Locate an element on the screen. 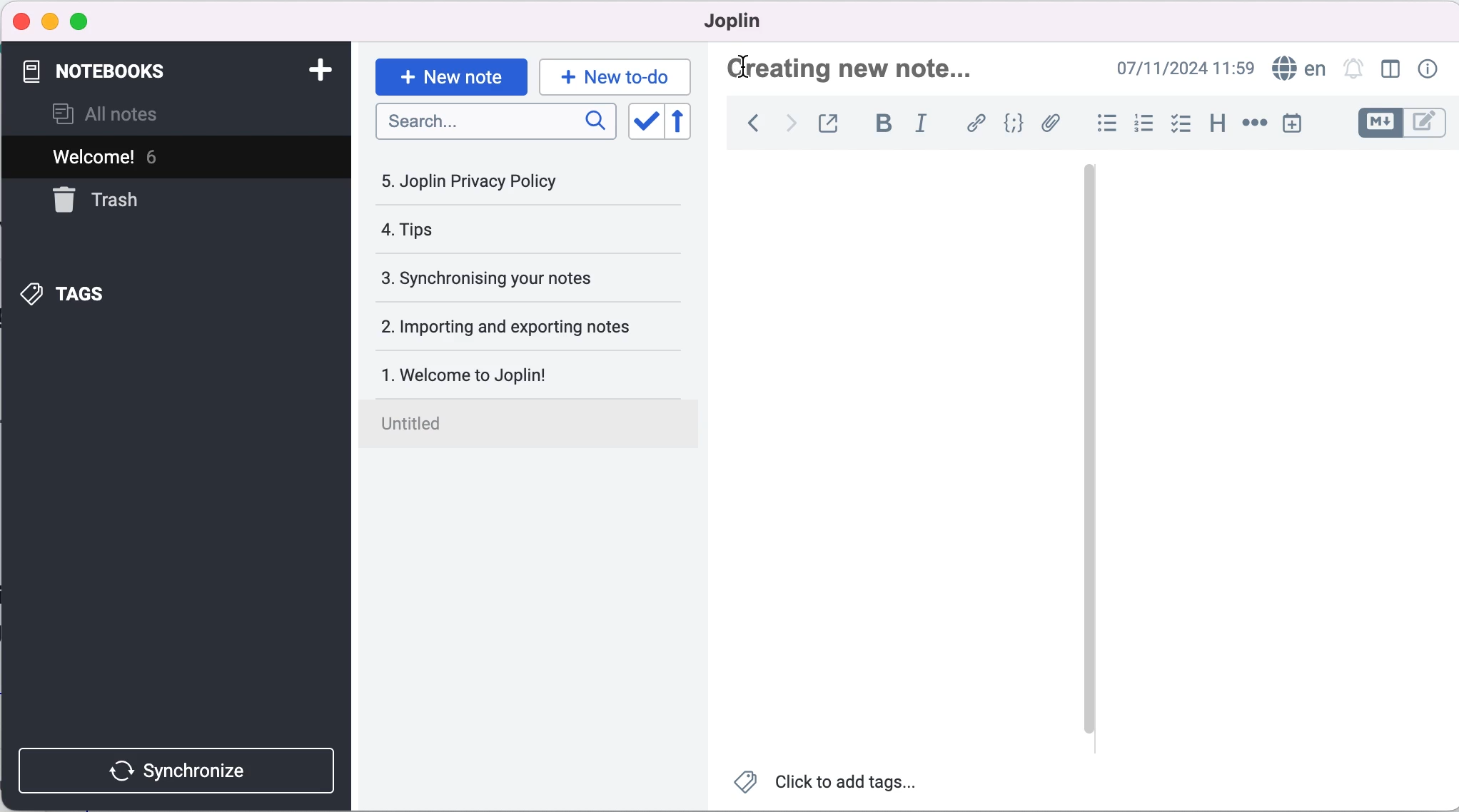 Image resolution: width=1459 pixels, height=812 pixels. toggle external editing is located at coordinates (831, 123).